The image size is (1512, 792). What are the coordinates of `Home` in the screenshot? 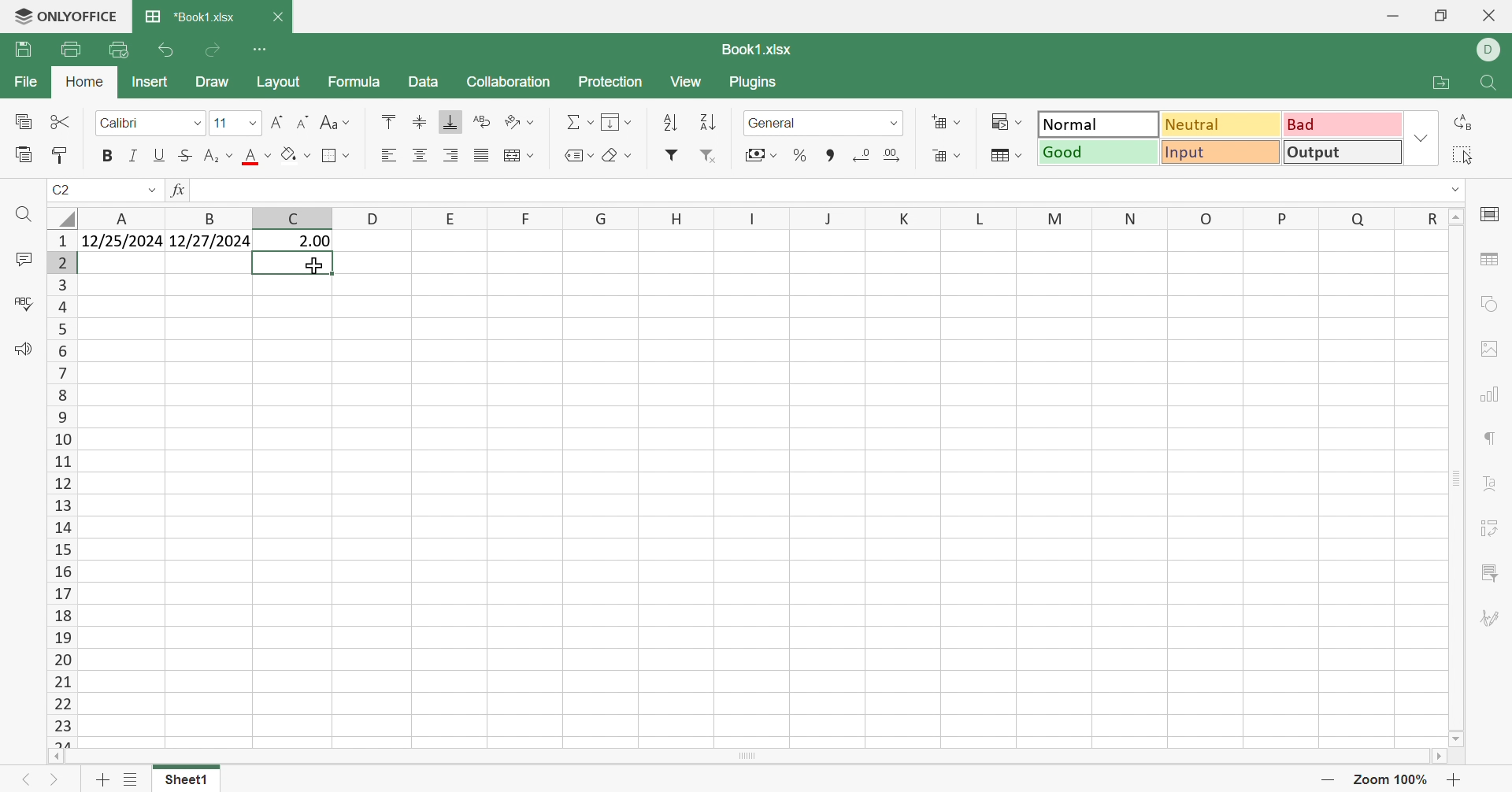 It's located at (83, 83).